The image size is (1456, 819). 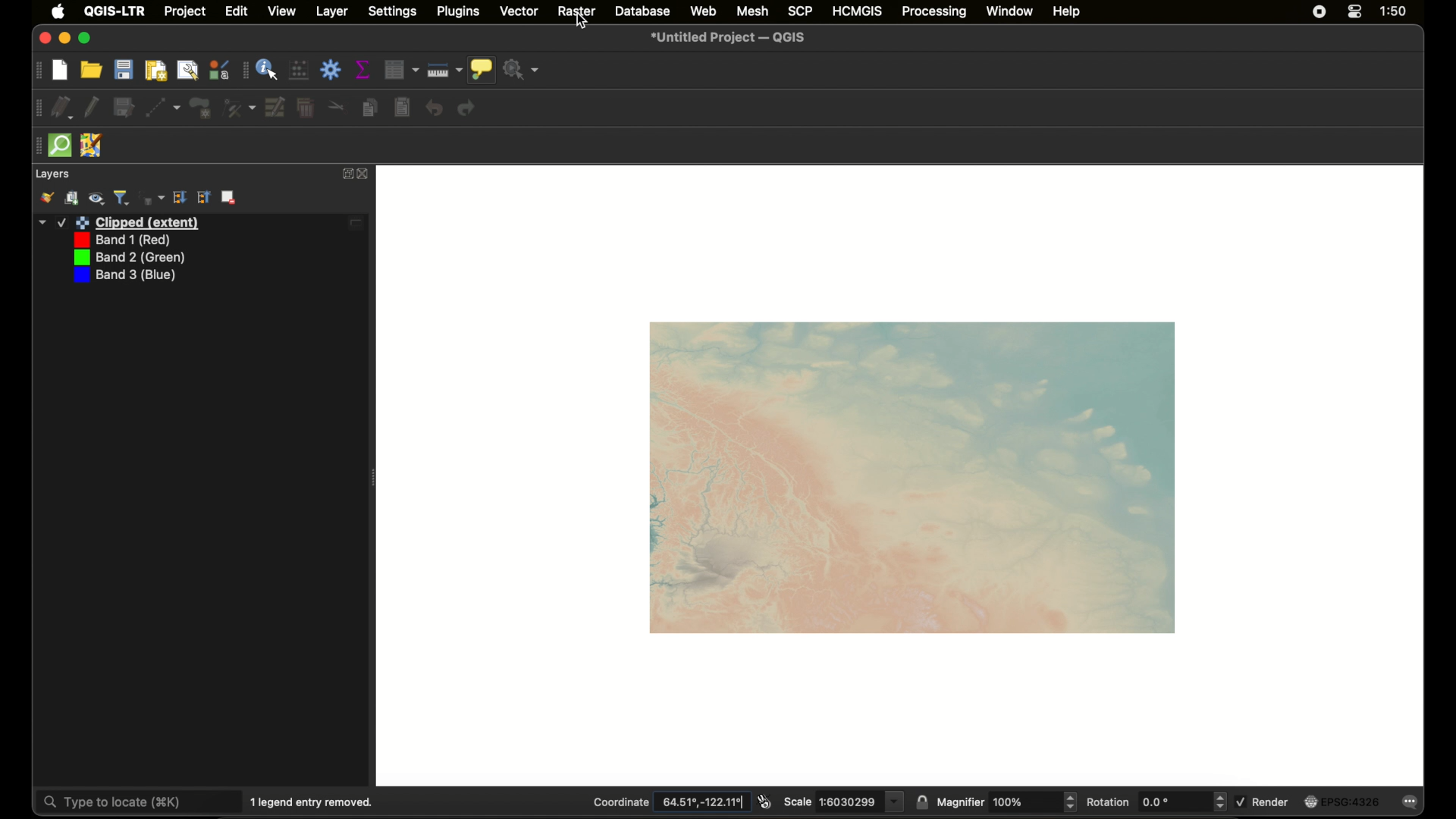 I want to click on measure line, so click(x=444, y=71).